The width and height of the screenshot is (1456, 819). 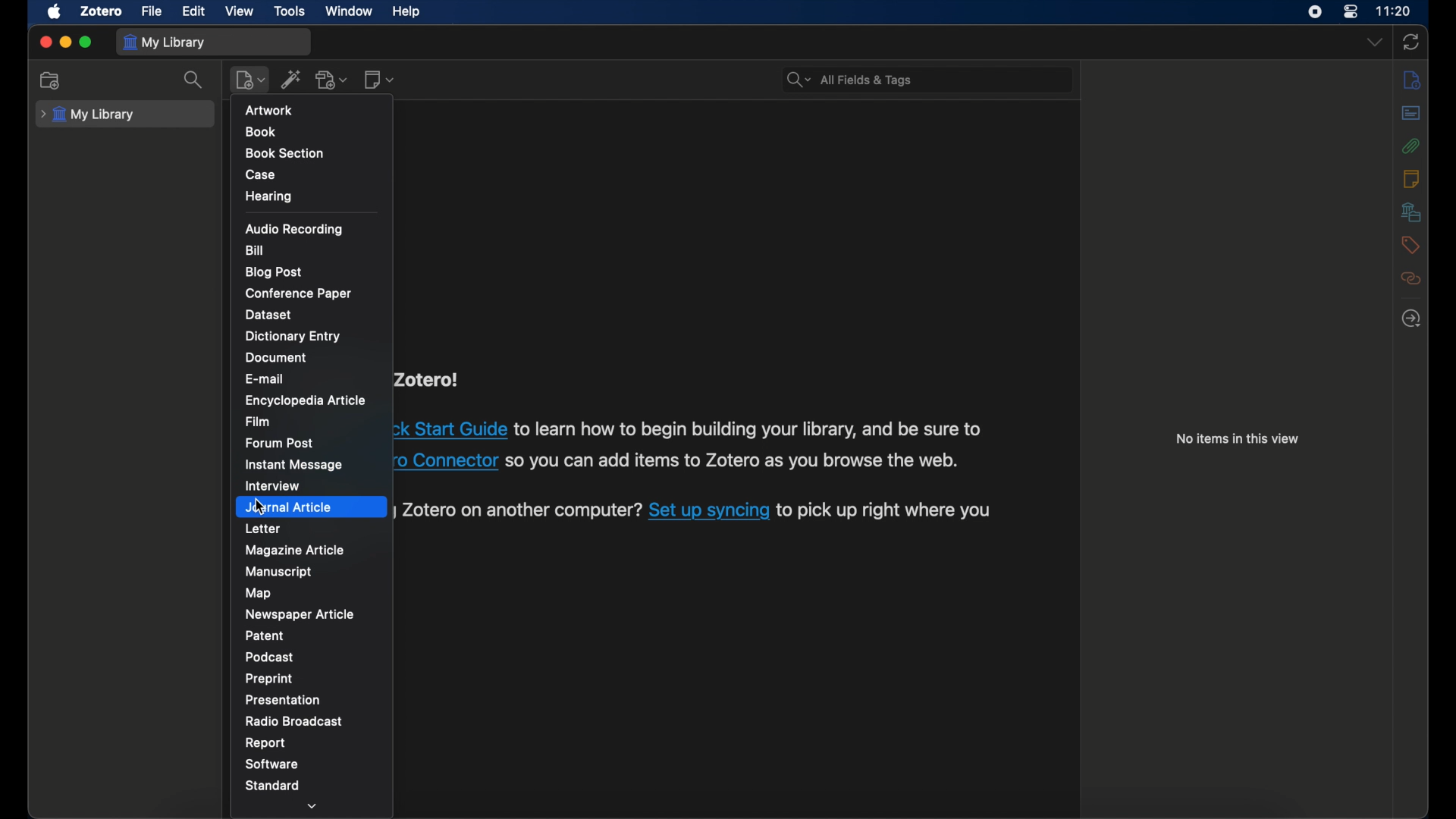 I want to click on tools, so click(x=290, y=11).